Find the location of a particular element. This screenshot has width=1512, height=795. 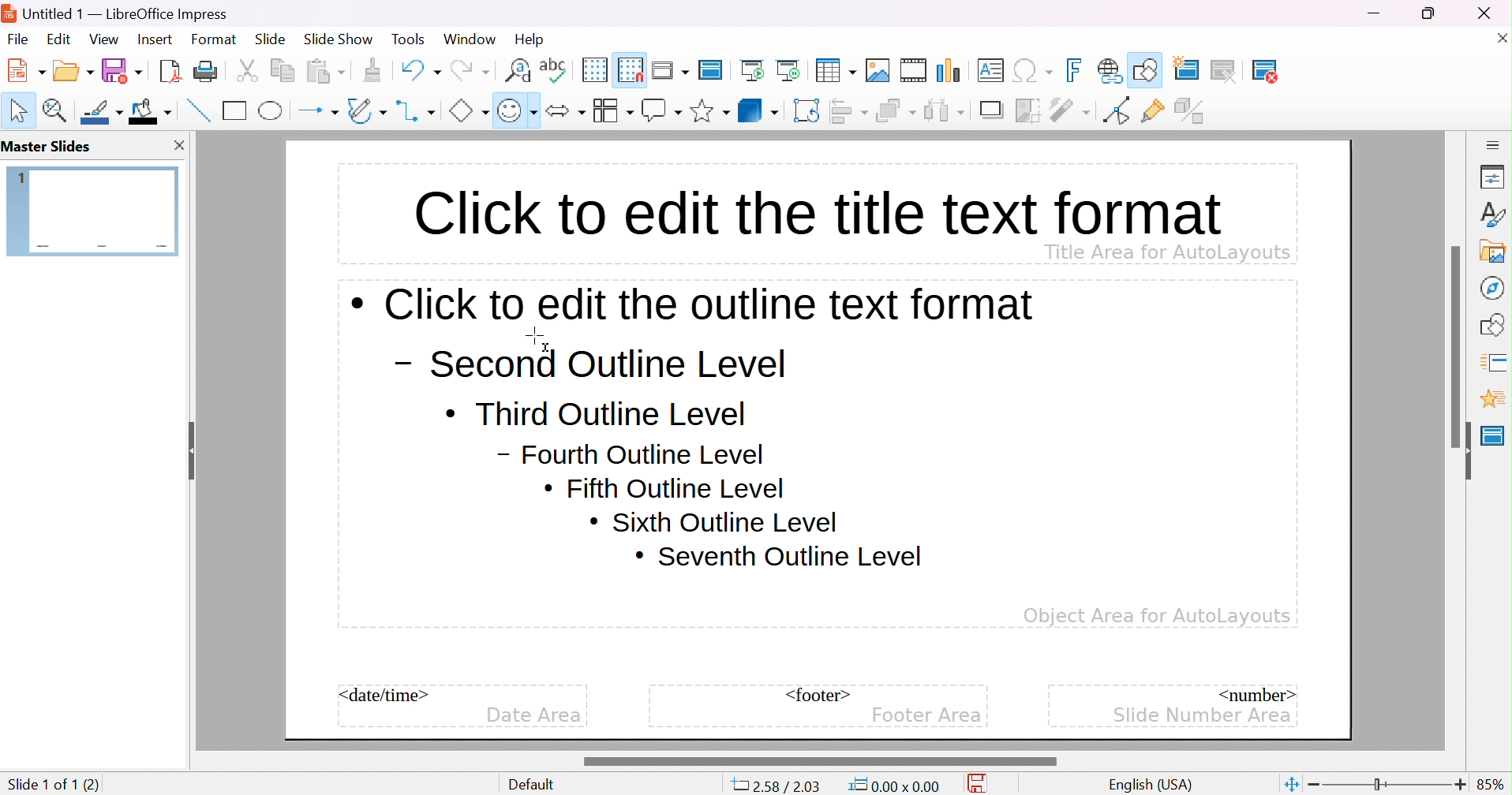

slide layout is located at coordinates (1319, 70).